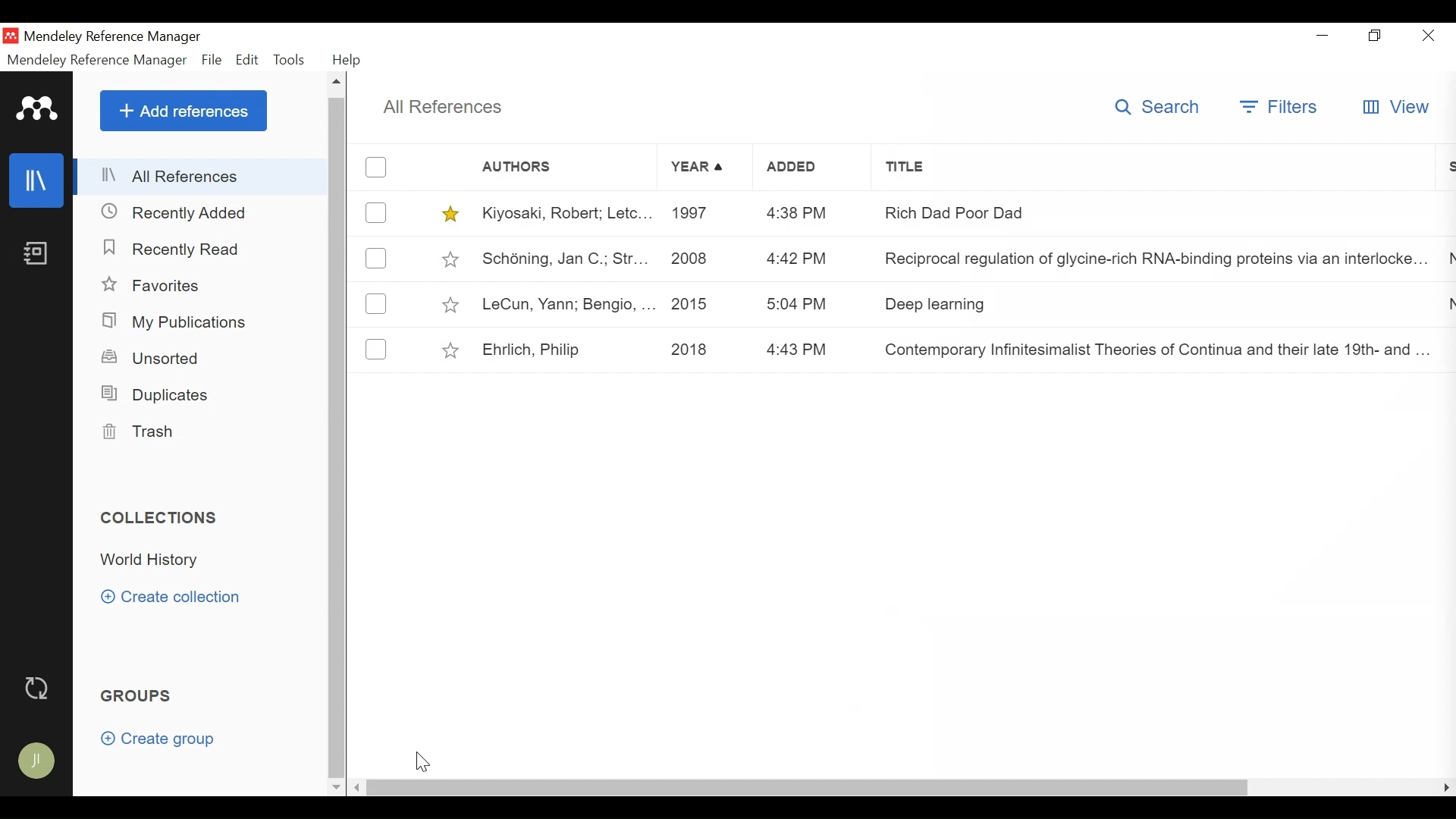  Describe the element at coordinates (336, 438) in the screenshot. I see `Vertical Scroll bar` at that location.